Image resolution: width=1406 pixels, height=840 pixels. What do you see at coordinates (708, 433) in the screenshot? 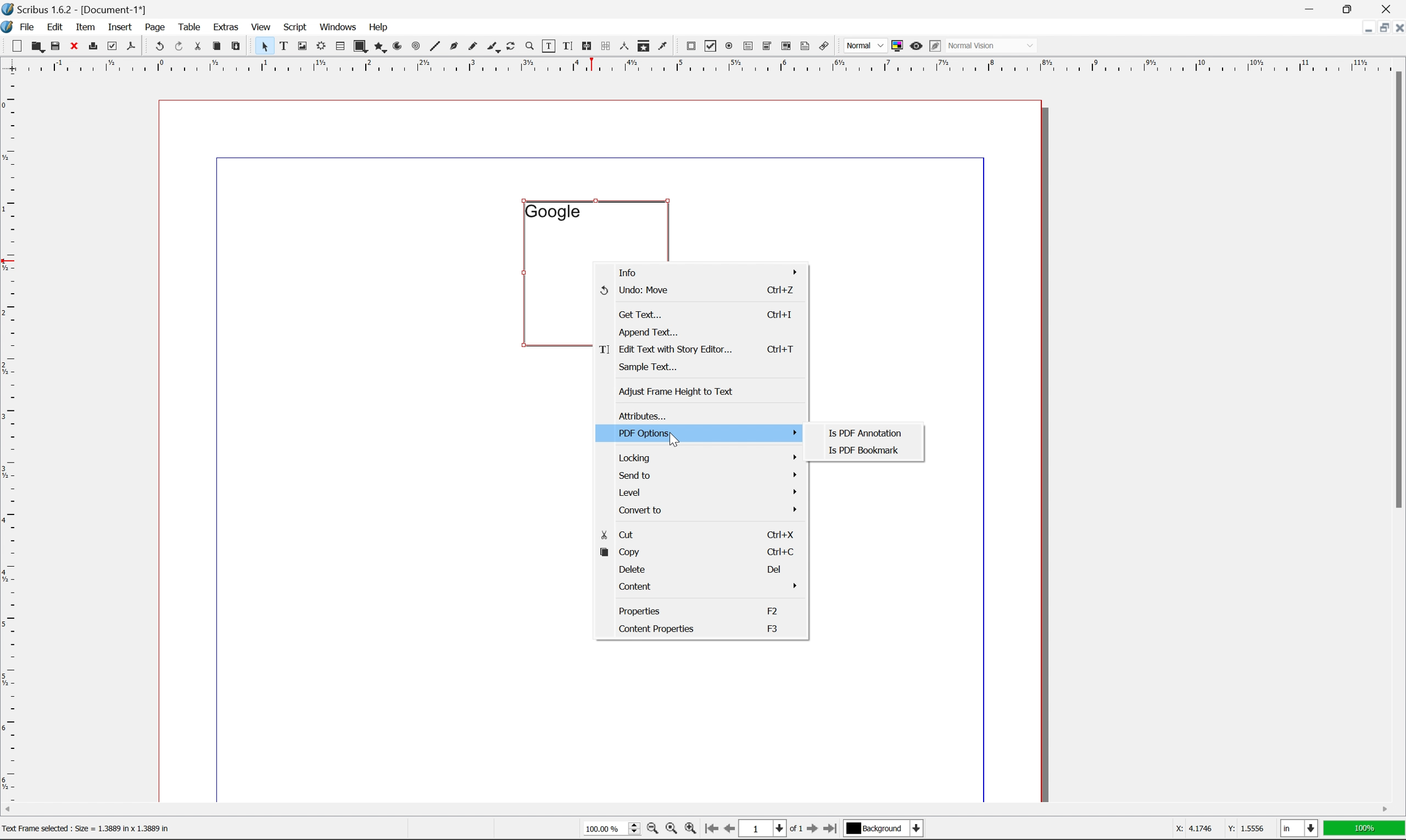
I see `pdf options` at bounding box center [708, 433].